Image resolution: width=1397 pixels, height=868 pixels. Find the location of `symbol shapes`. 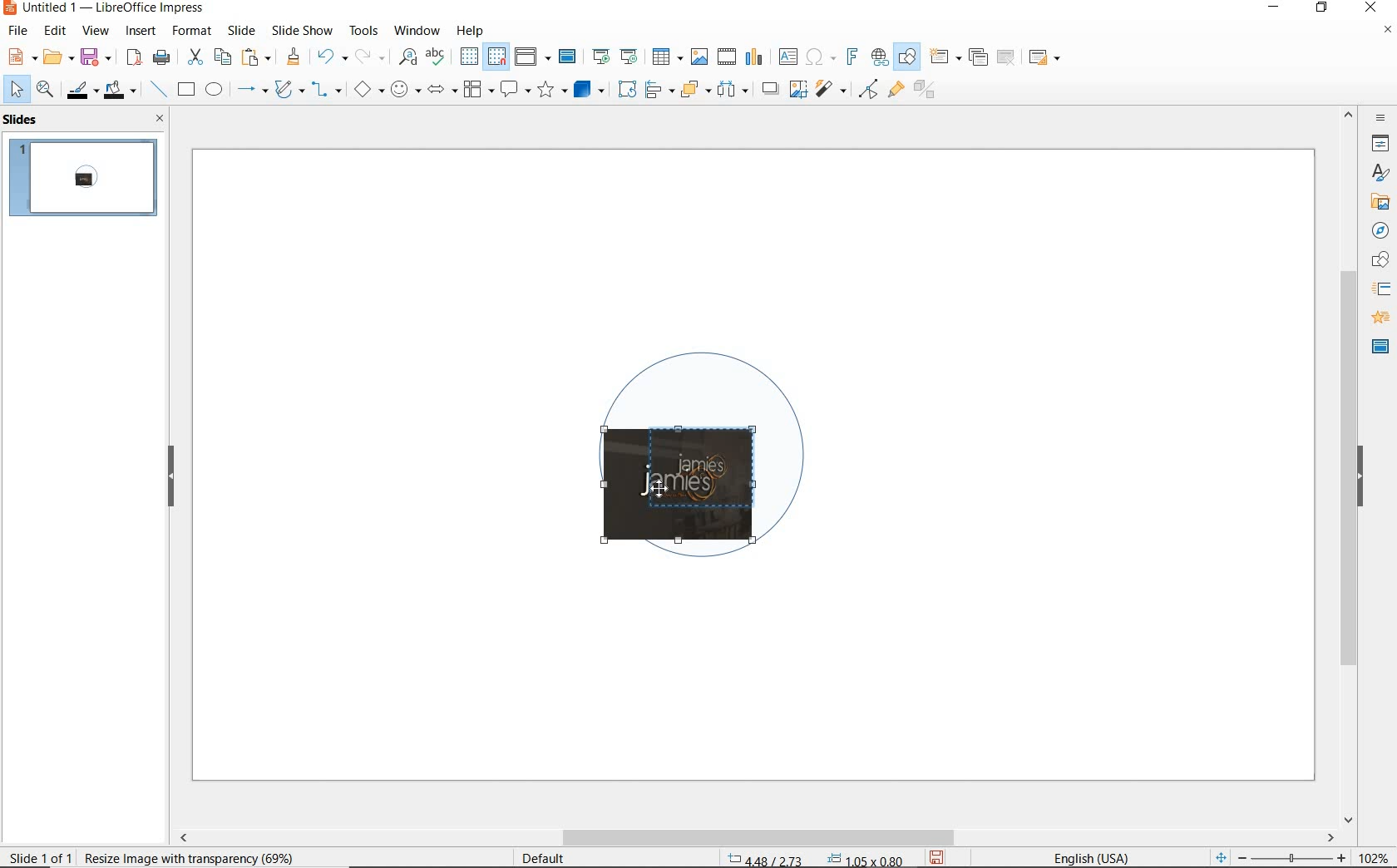

symbol shapes is located at coordinates (405, 89).